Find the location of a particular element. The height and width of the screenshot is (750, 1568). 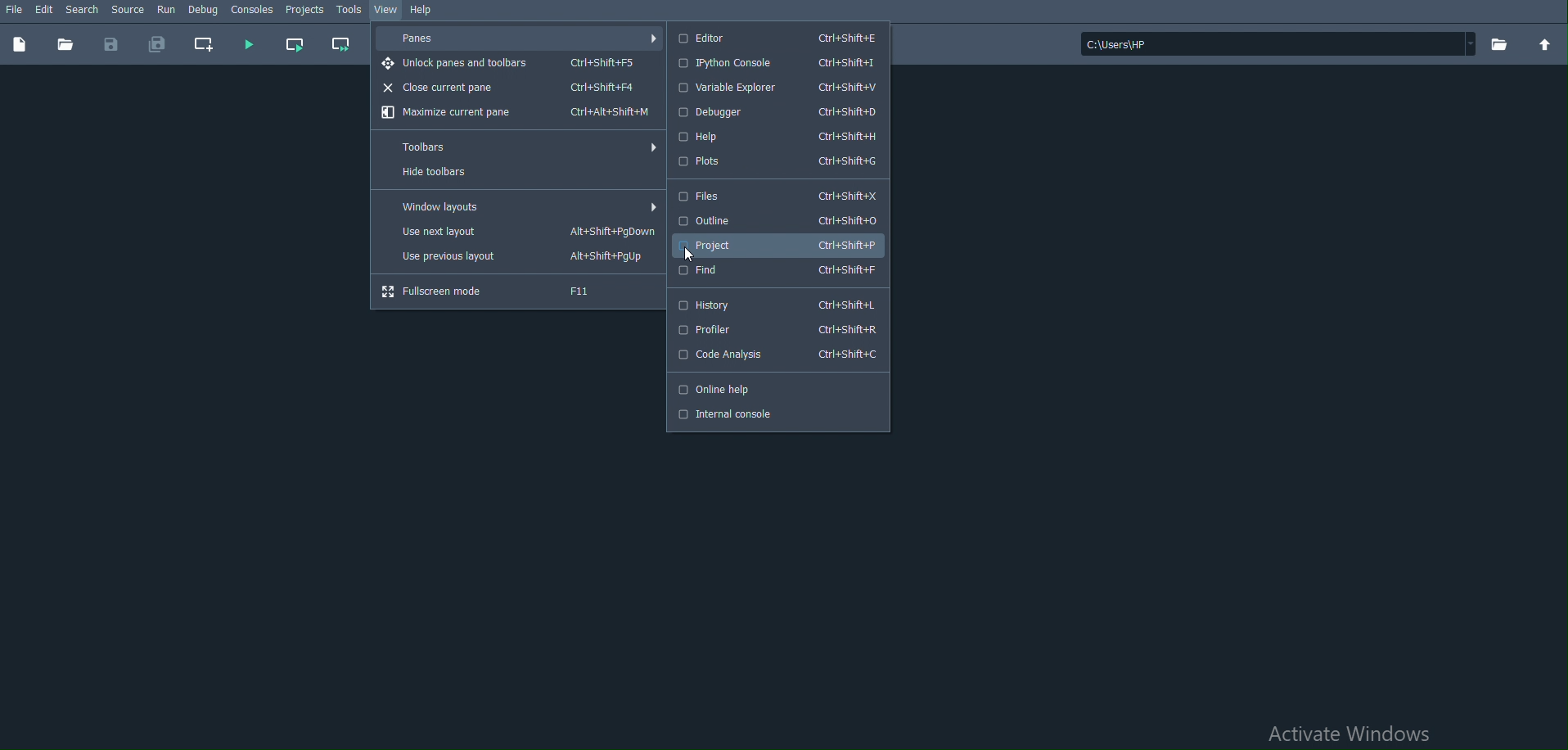

Run current cell and go to the next one is located at coordinates (340, 44).